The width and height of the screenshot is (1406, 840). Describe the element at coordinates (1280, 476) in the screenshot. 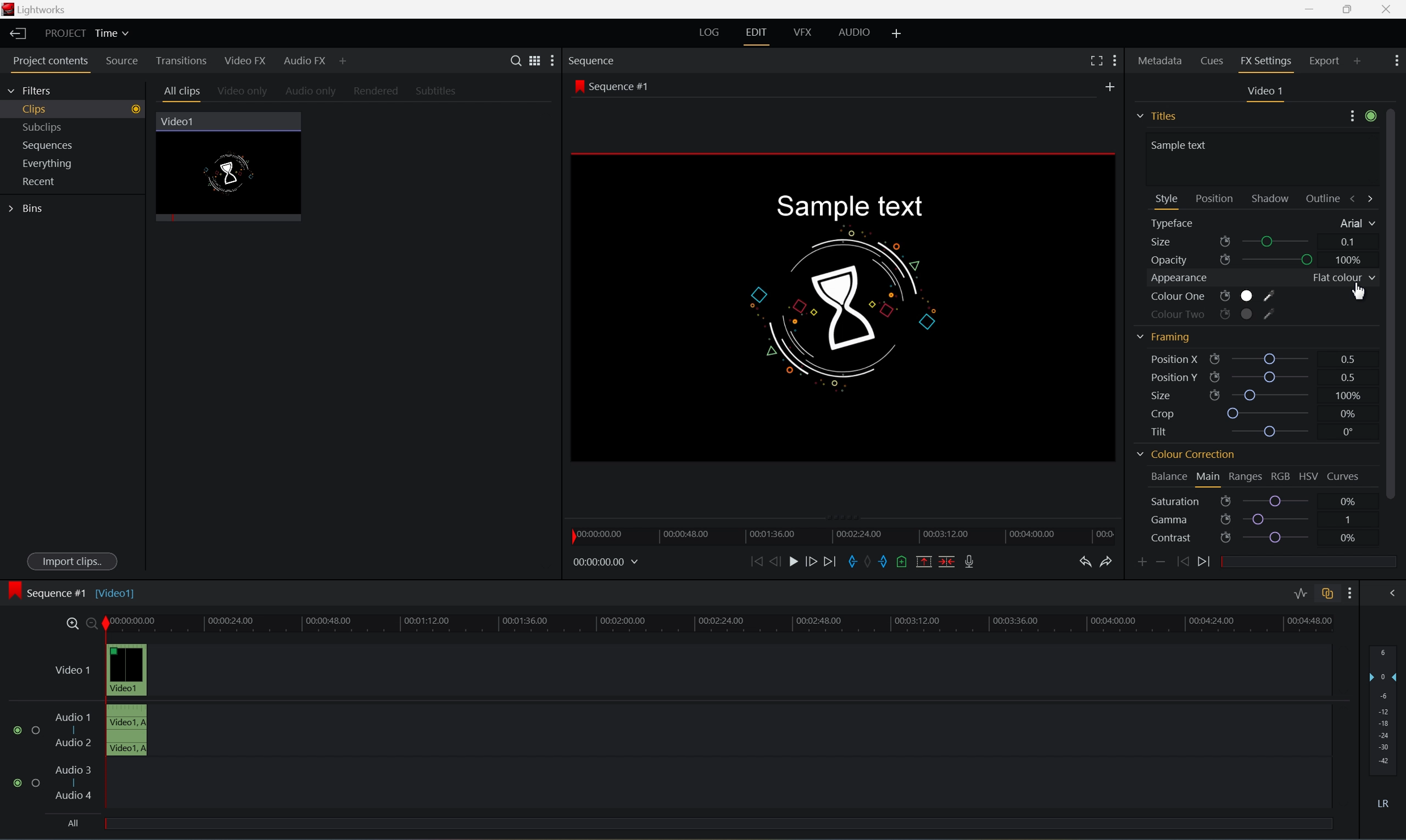

I see `RGB` at that location.